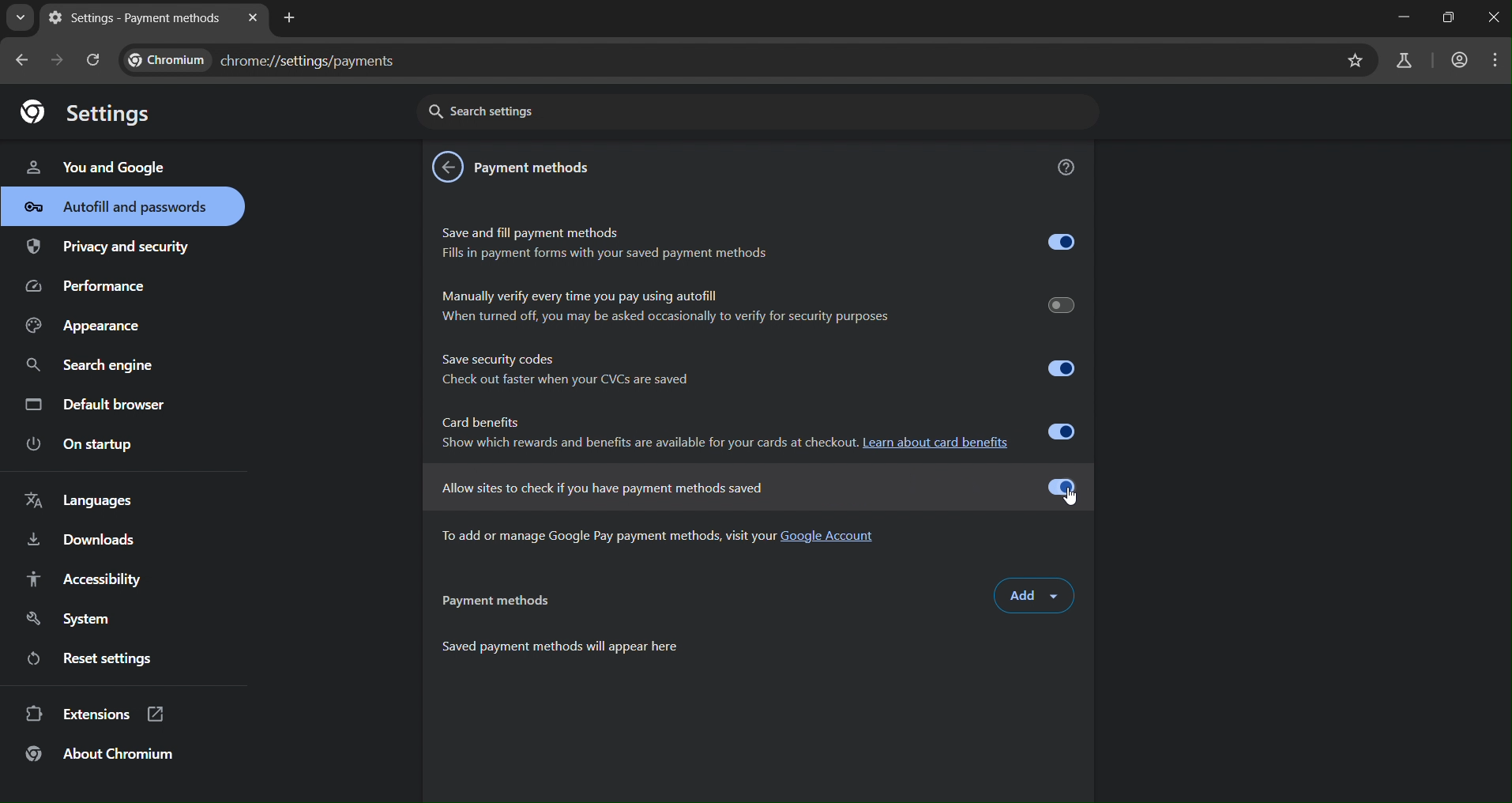 This screenshot has height=803, width=1512. Describe the element at coordinates (757, 490) in the screenshot. I see `allow sites to check if you have payment methods saved` at that location.